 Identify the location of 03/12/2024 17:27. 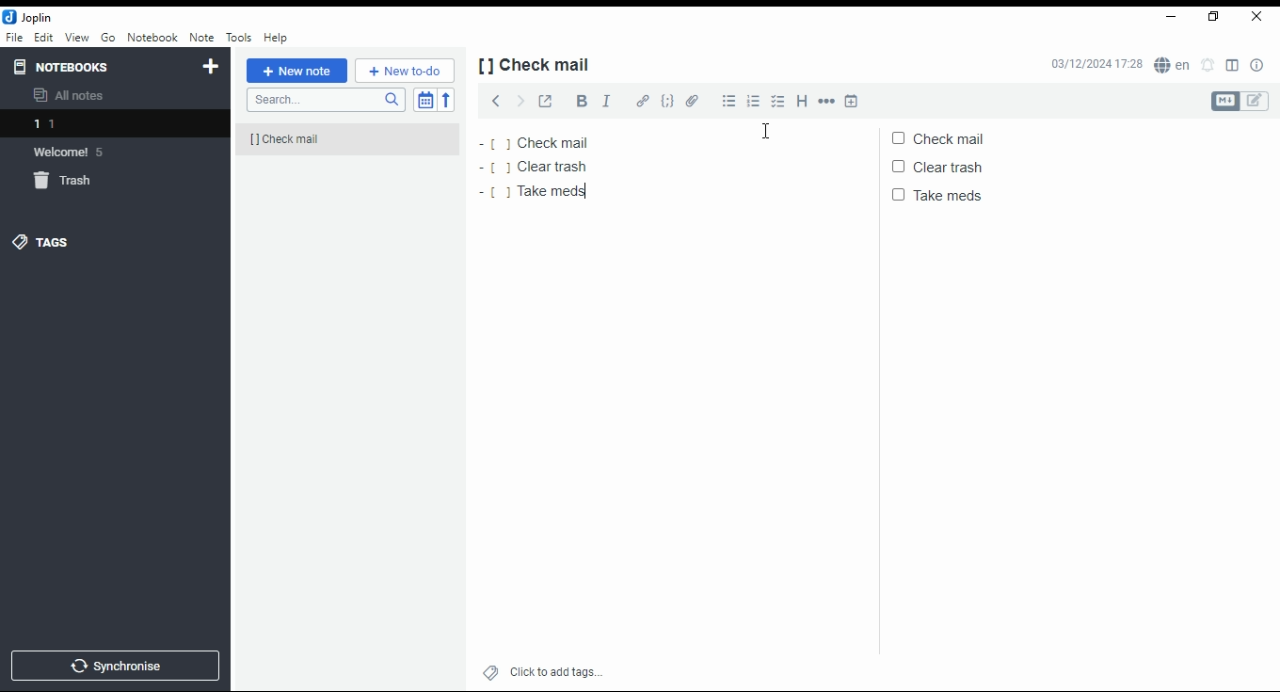
(1096, 64).